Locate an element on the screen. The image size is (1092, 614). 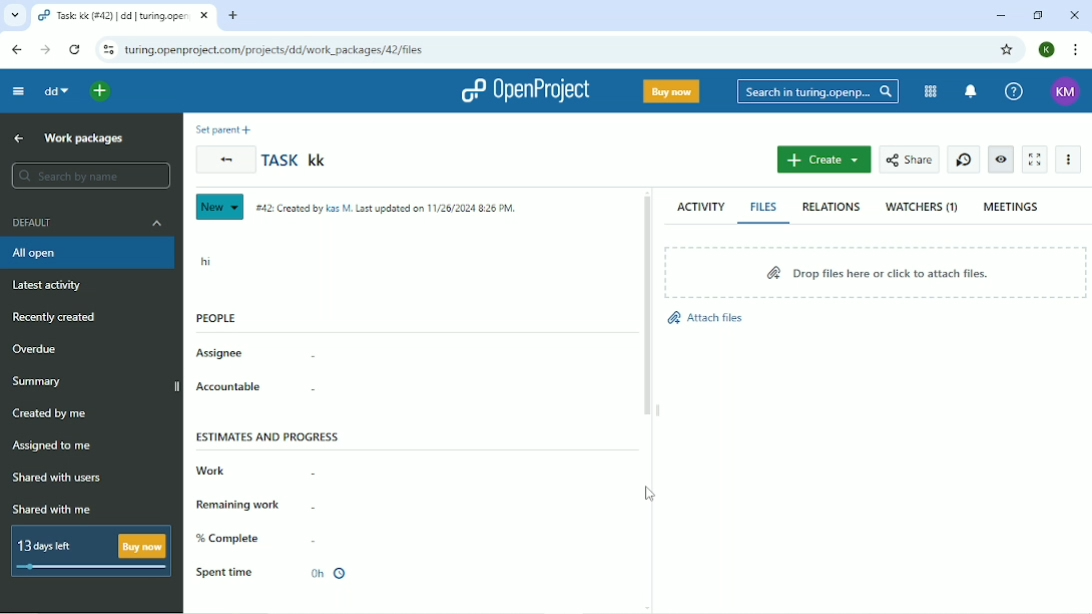
Default is located at coordinates (85, 222).